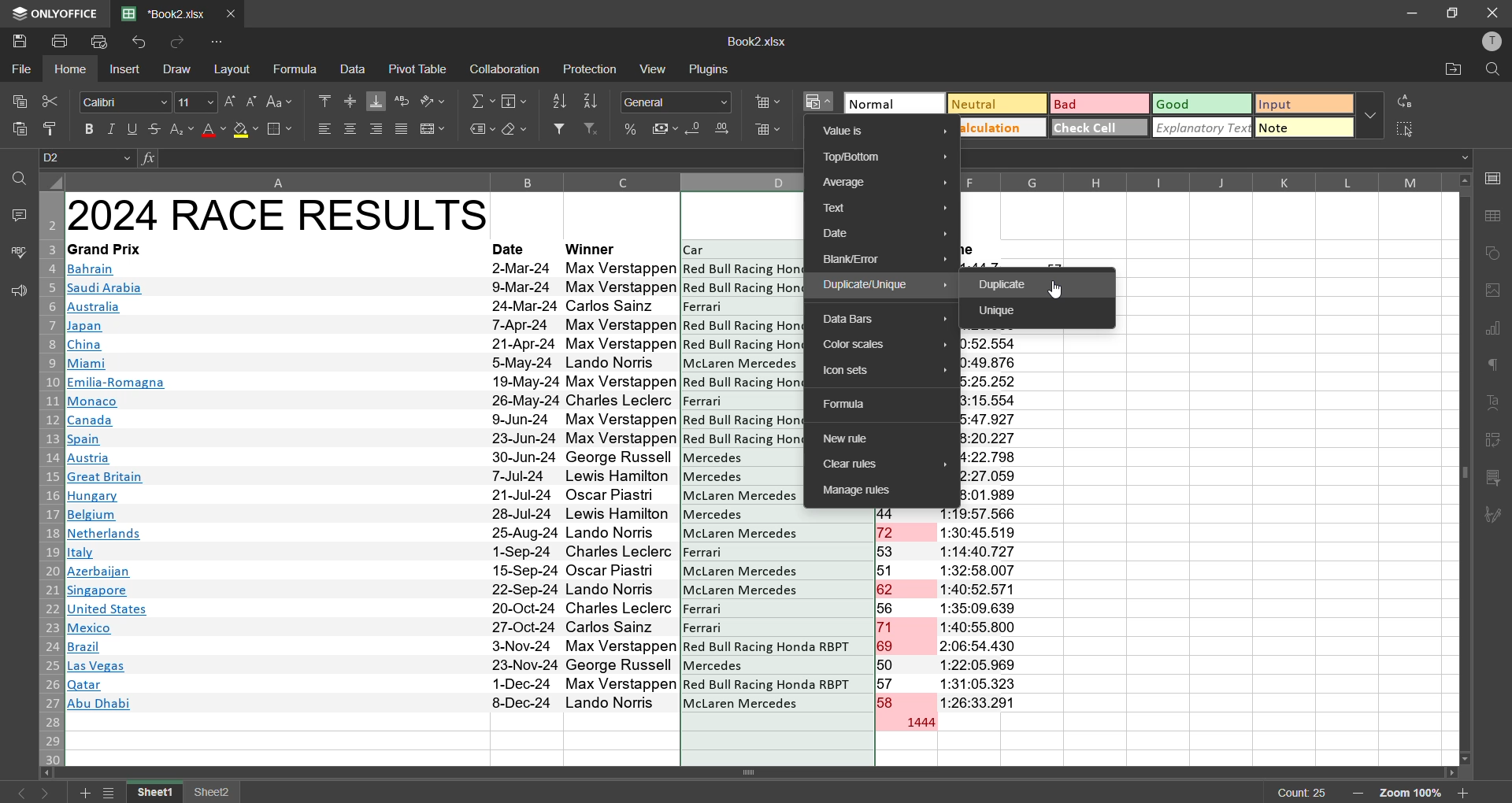 Image resolution: width=1512 pixels, height=803 pixels. Describe the element at coordinates (885, 286) in the screenshot. I see `duplicate/unique` at that location.